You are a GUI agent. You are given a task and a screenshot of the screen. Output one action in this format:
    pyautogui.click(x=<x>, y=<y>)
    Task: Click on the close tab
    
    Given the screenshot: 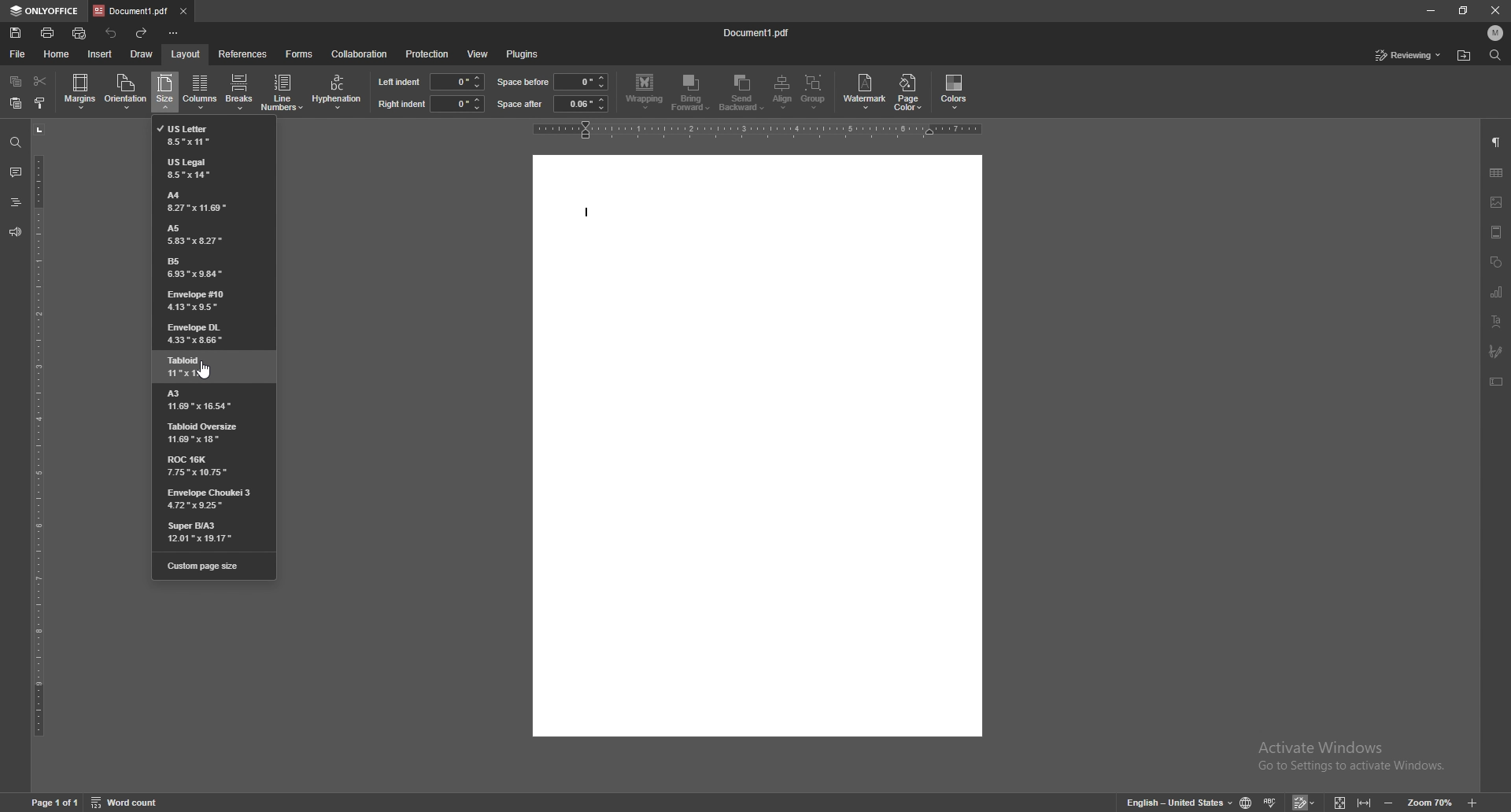 What is the action you would take?
    pyautogui.click(x=183, y=10)
    